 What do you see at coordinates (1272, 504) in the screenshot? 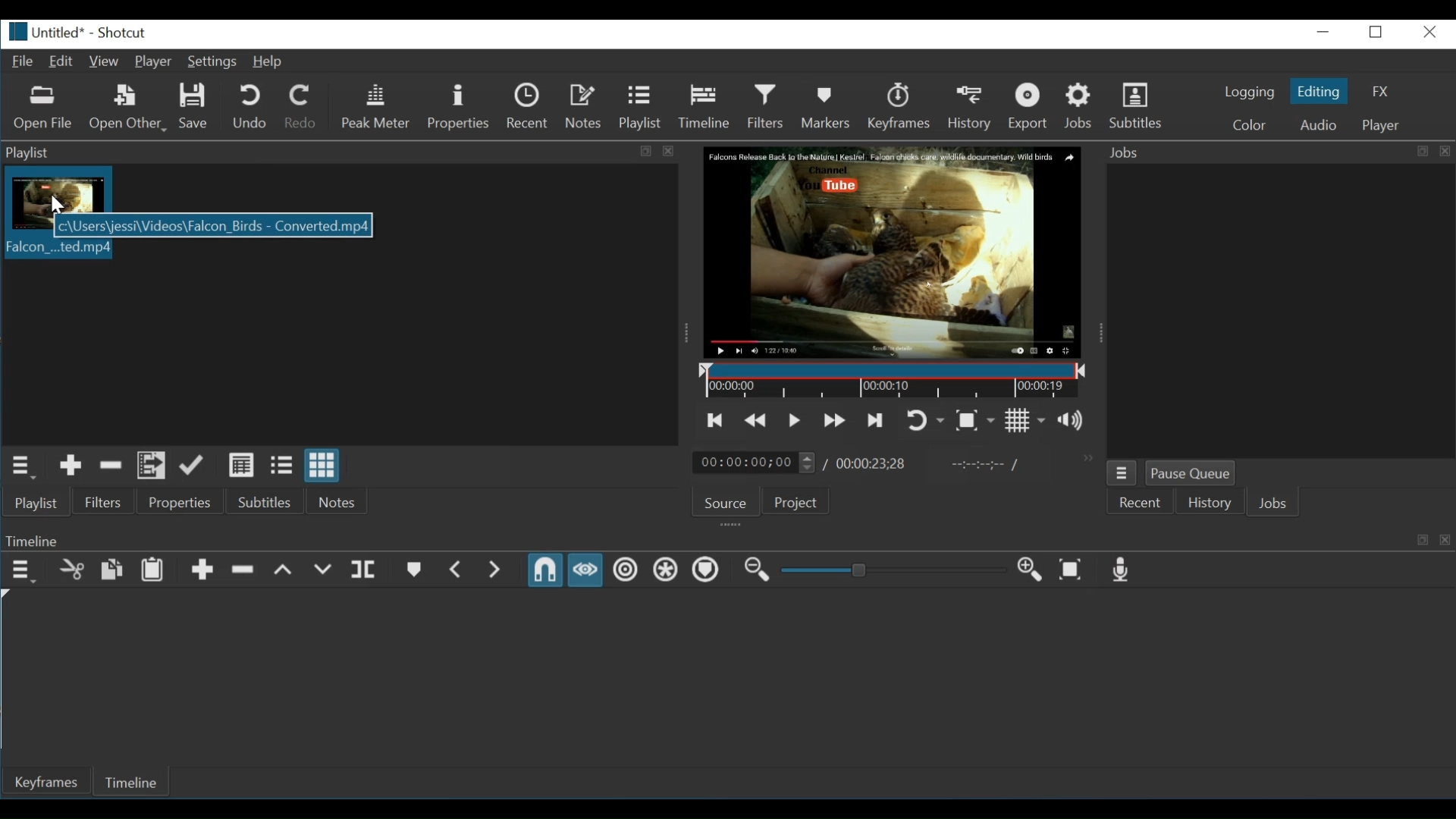
I see `Jobs` at bounding box center [1272, 504].